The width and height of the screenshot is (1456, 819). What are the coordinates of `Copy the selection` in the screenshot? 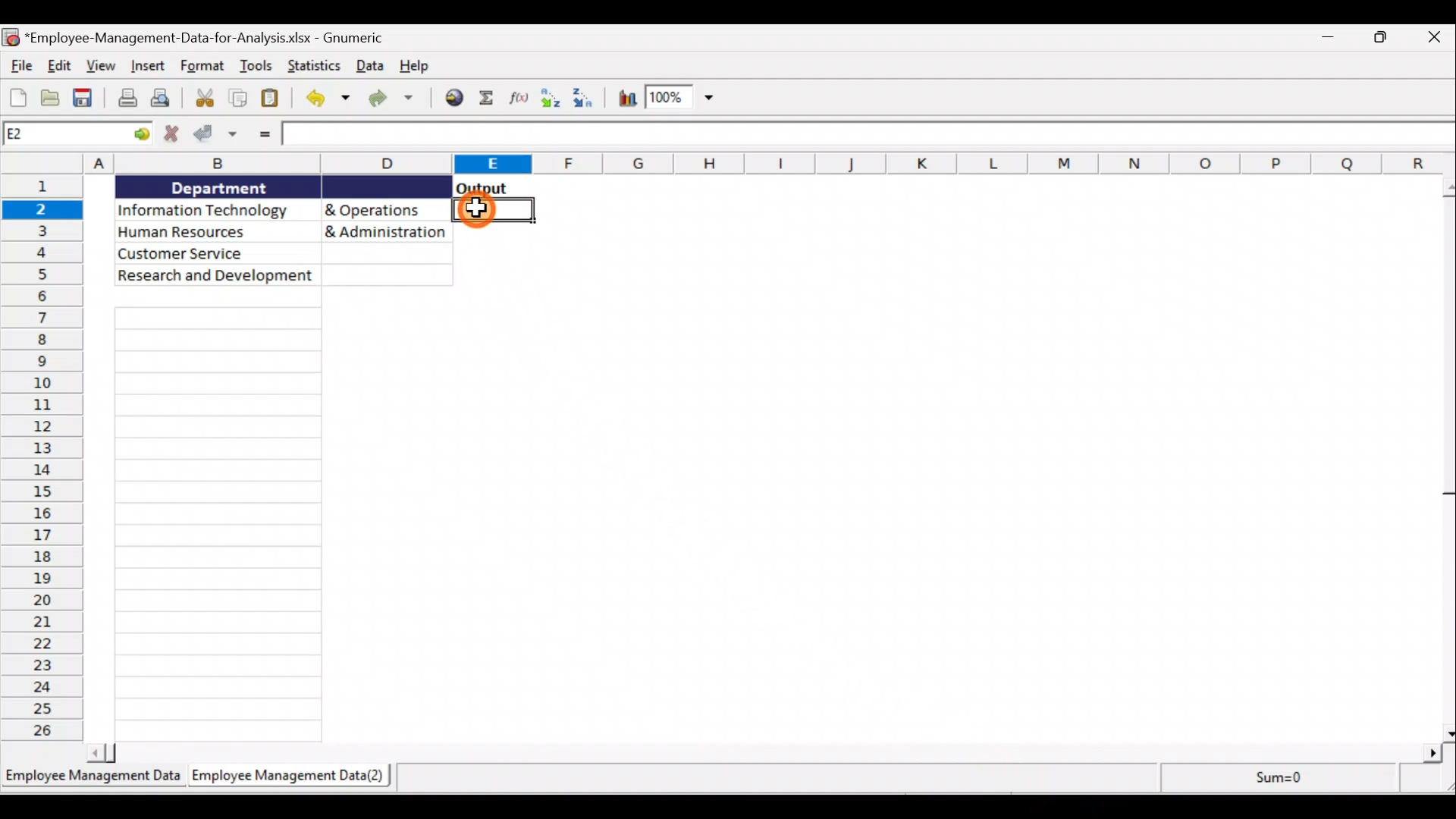 It's located at (239, 99).